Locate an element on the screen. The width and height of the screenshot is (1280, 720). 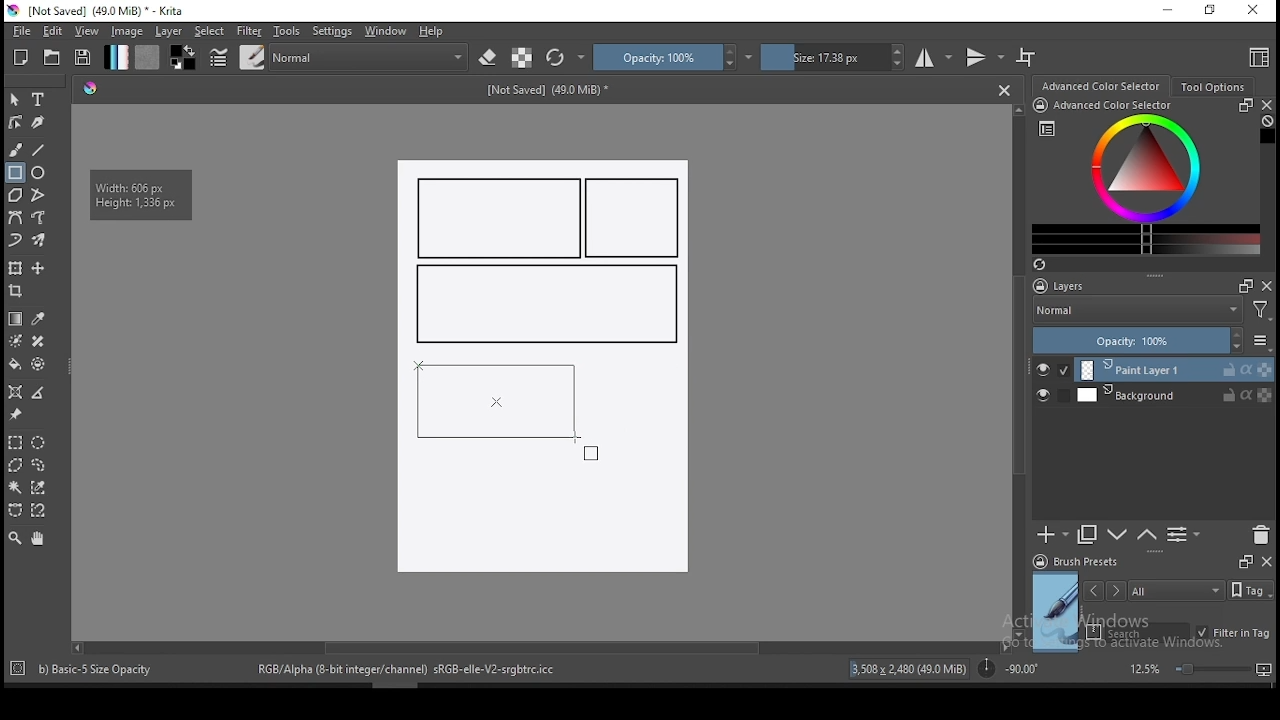
enclose and fill tool is located at coordinates (38, 364).